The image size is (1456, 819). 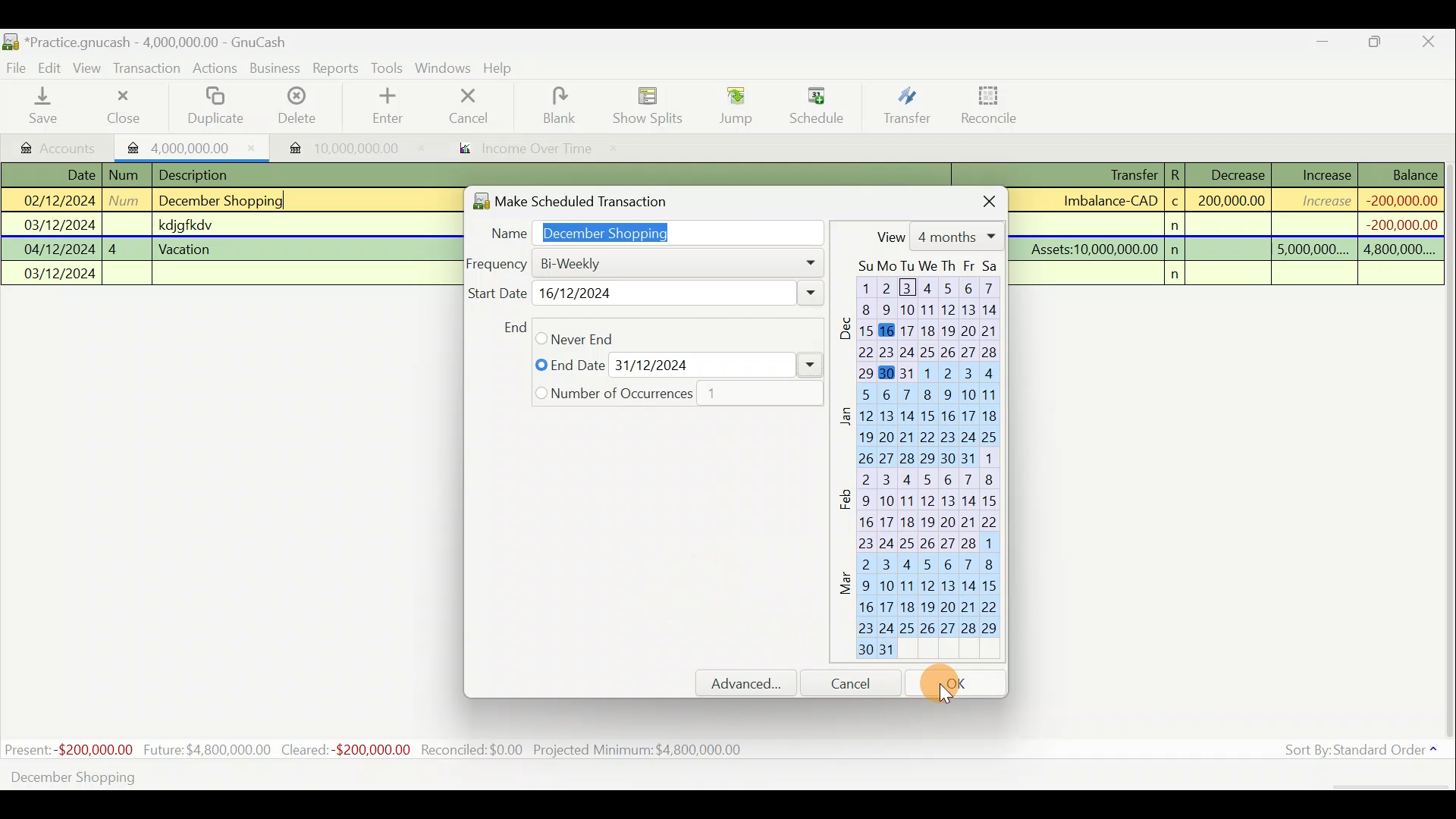 I want to click on Actions, so click(x=215, y=71).